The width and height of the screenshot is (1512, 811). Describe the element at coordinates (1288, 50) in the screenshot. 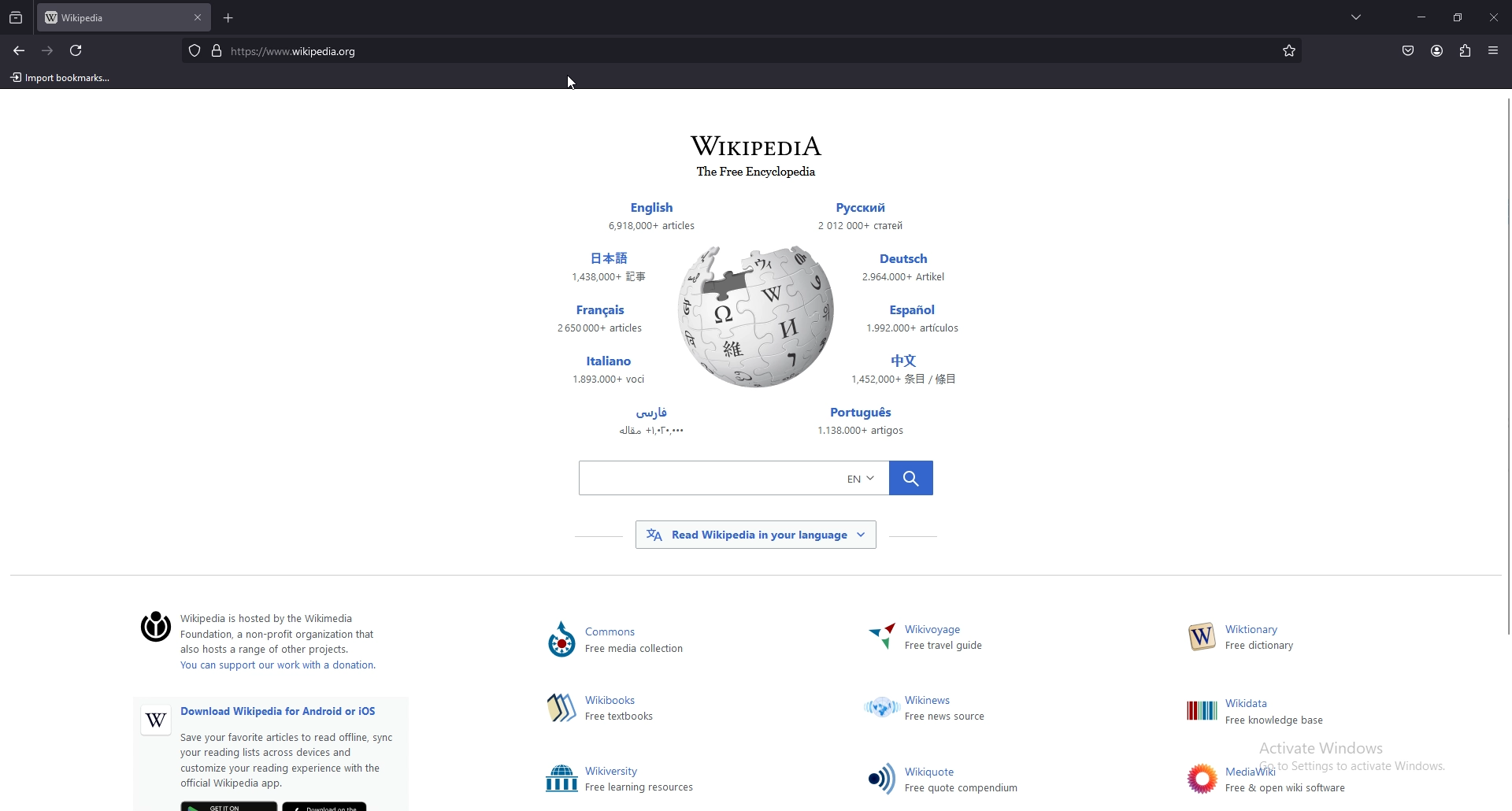

I see `bookmarks` at that location.